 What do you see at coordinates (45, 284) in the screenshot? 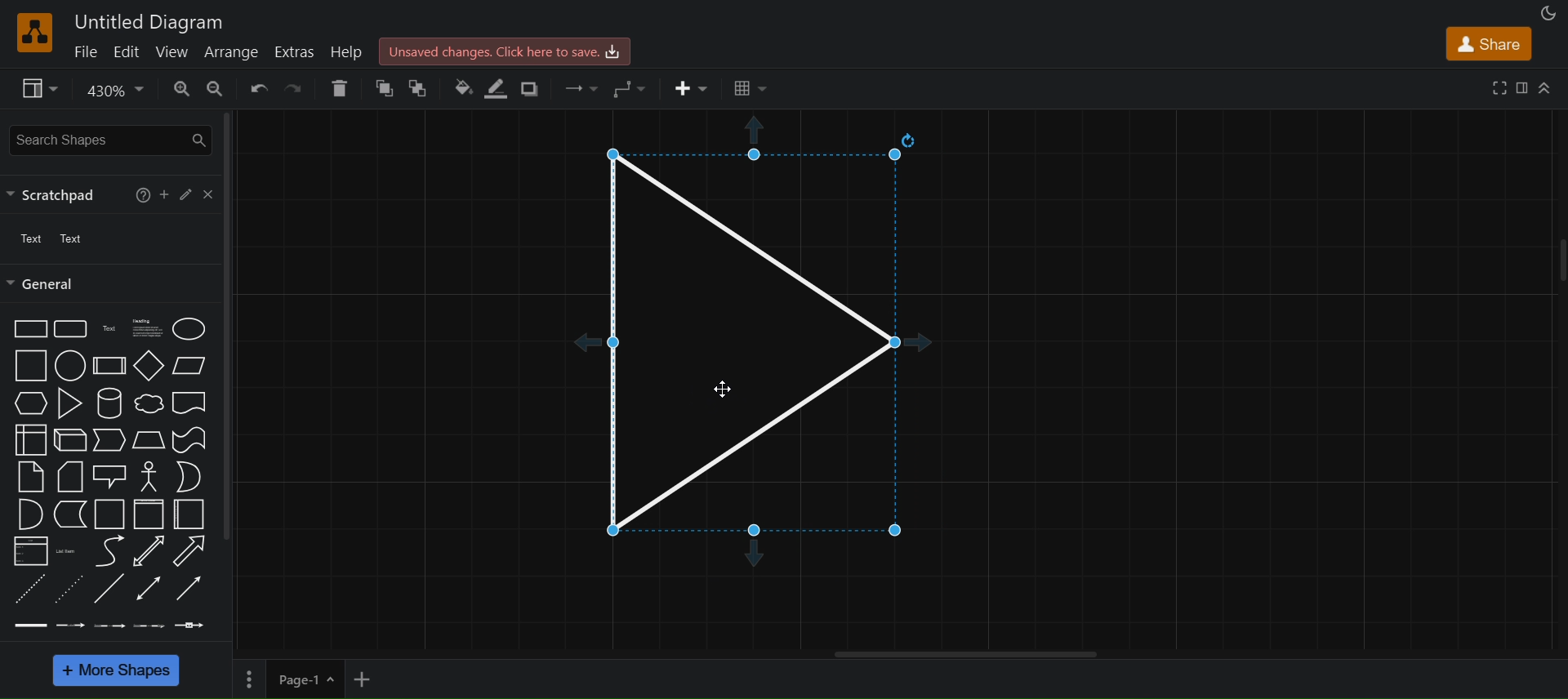
I see `general` at bounding box center [45, 284].